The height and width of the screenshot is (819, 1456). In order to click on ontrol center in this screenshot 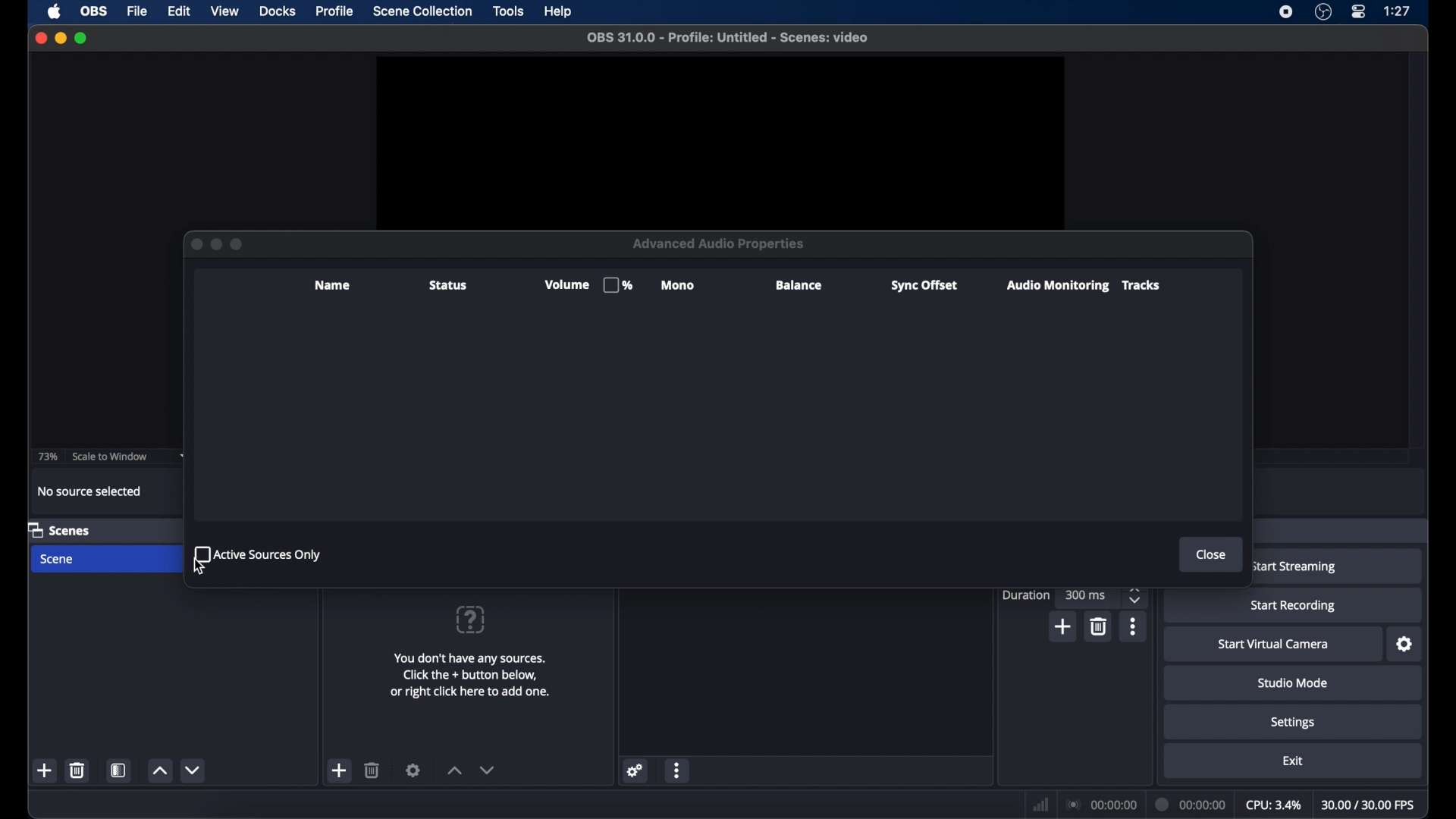, I will do `click(1360, 12)`.